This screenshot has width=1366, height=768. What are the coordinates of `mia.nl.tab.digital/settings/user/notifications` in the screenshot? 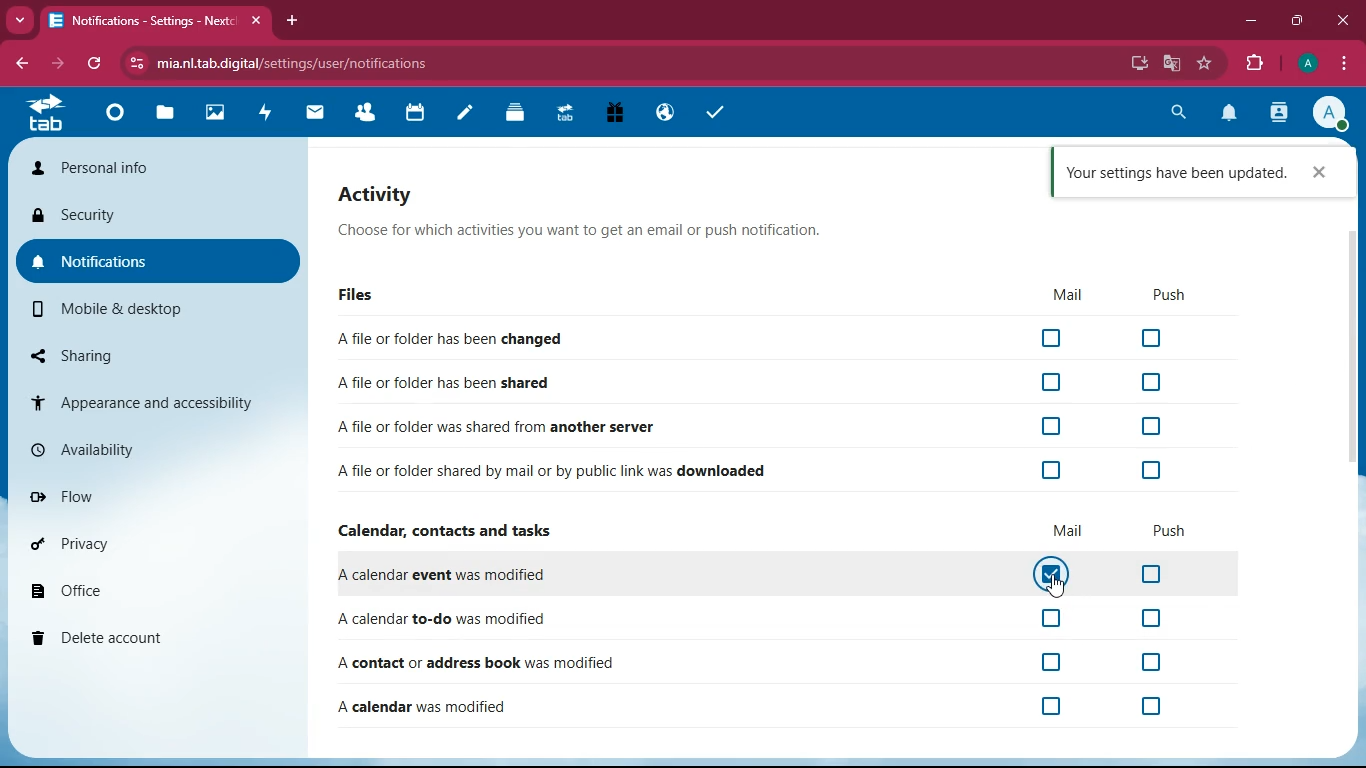 It's located at (296, 65).